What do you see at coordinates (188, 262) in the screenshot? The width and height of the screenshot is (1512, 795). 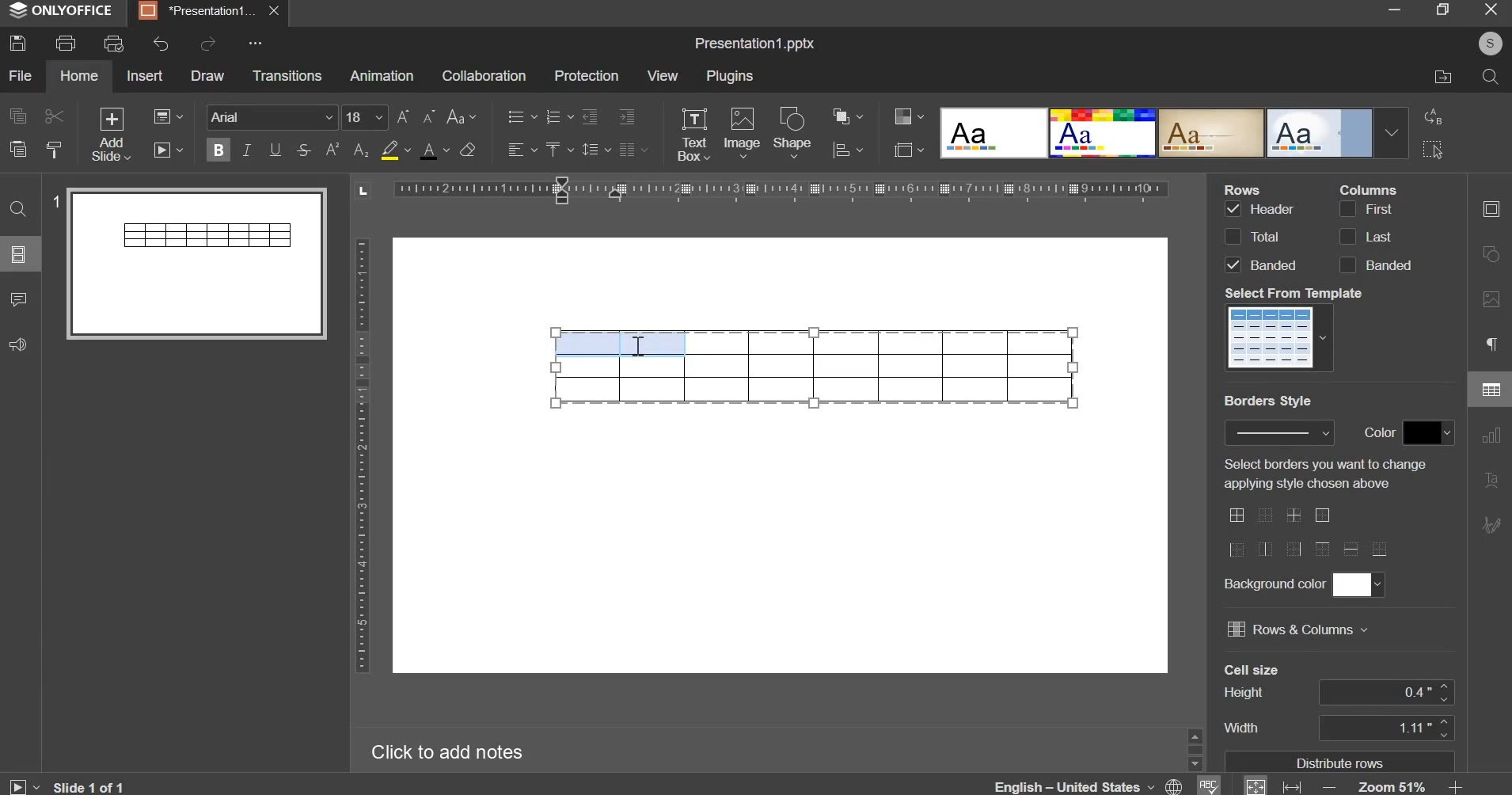 I see `slide preview` at bounding box center [188, 262].